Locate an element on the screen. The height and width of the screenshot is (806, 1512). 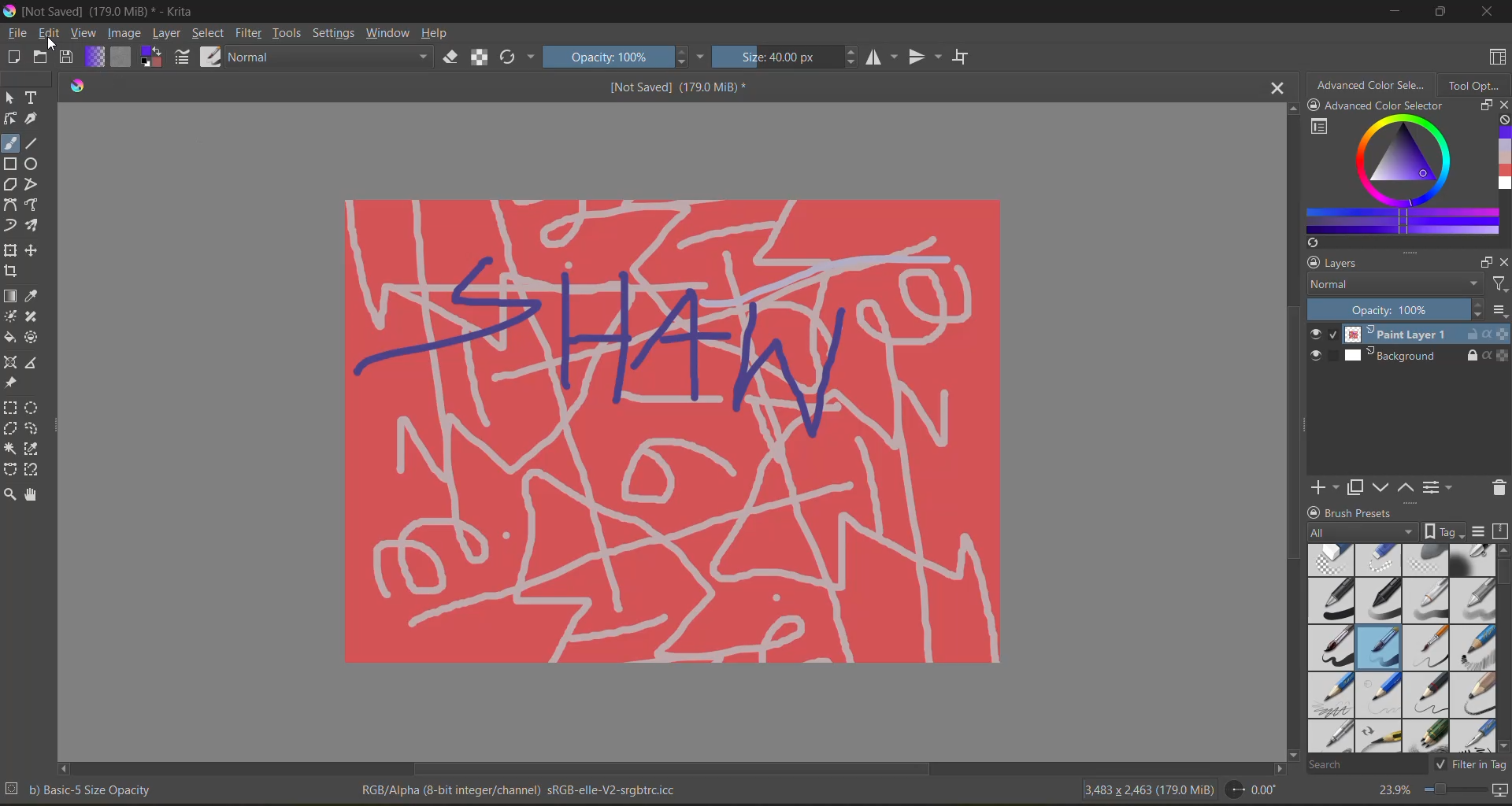
freehand selection tool is located at coordinates (35, 428).